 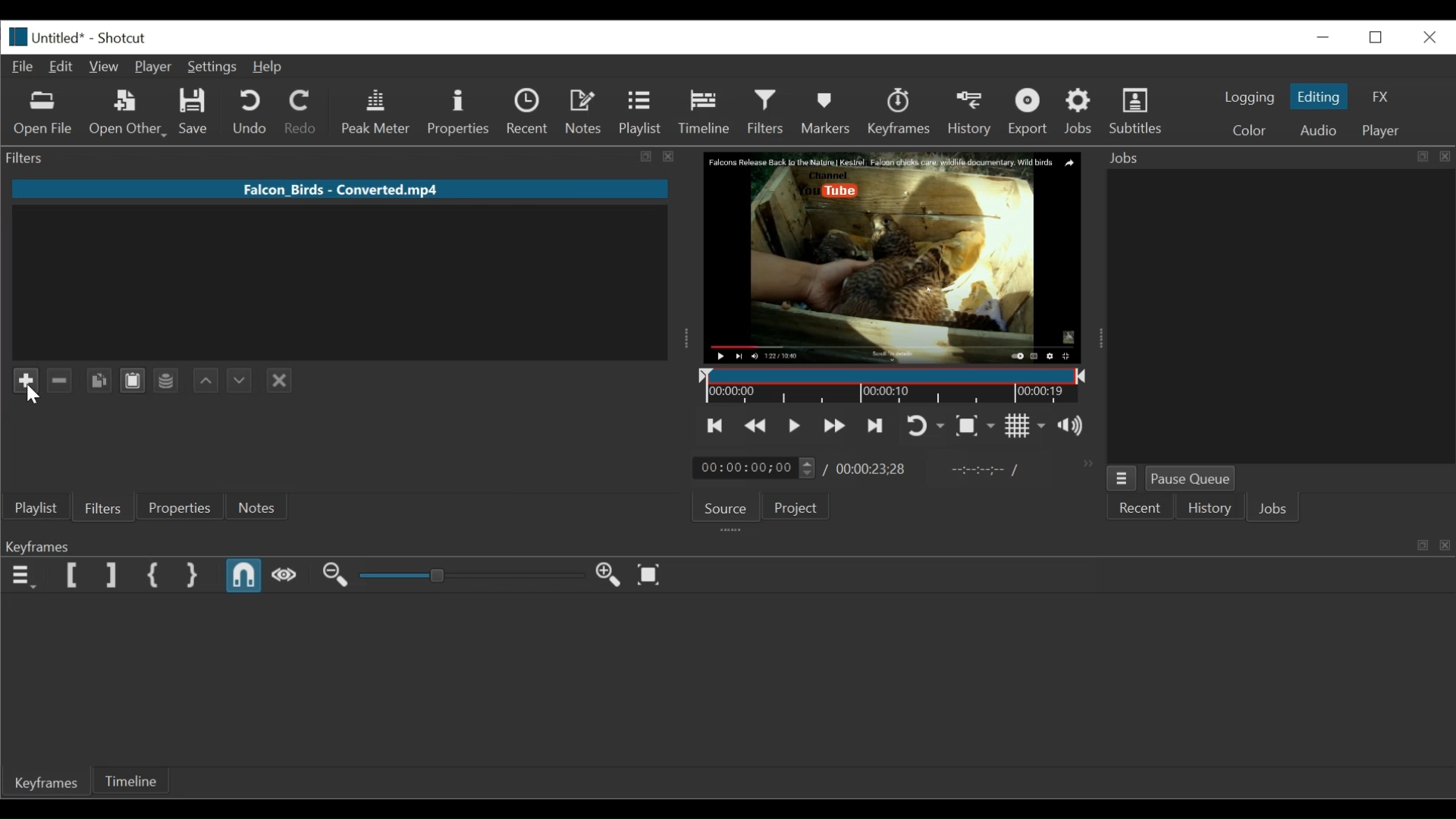 I want to click on View, so click(x=103, y=67).